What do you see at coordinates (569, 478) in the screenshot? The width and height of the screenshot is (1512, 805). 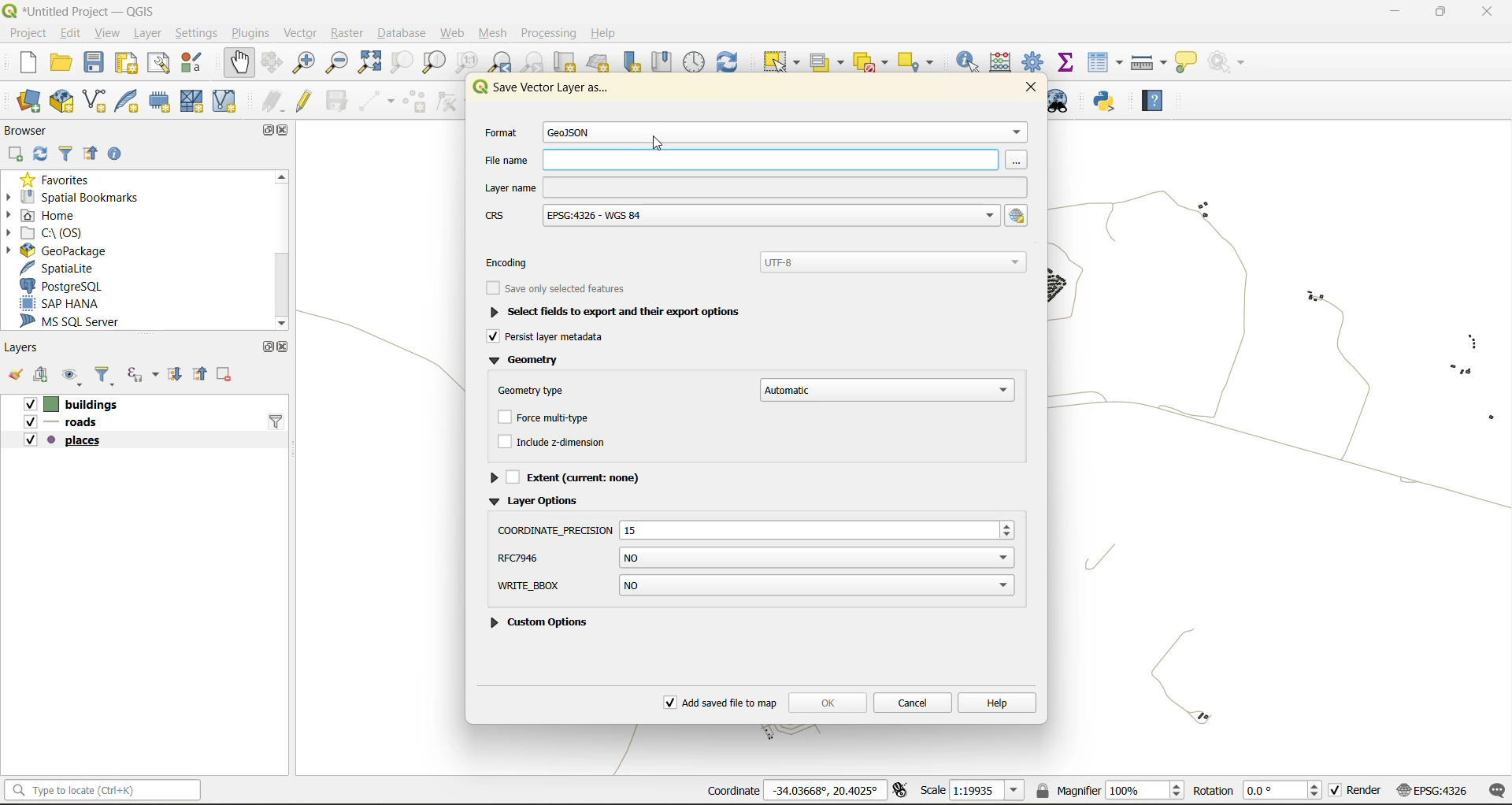 I see `extent ` at bounding box center [569, 478].